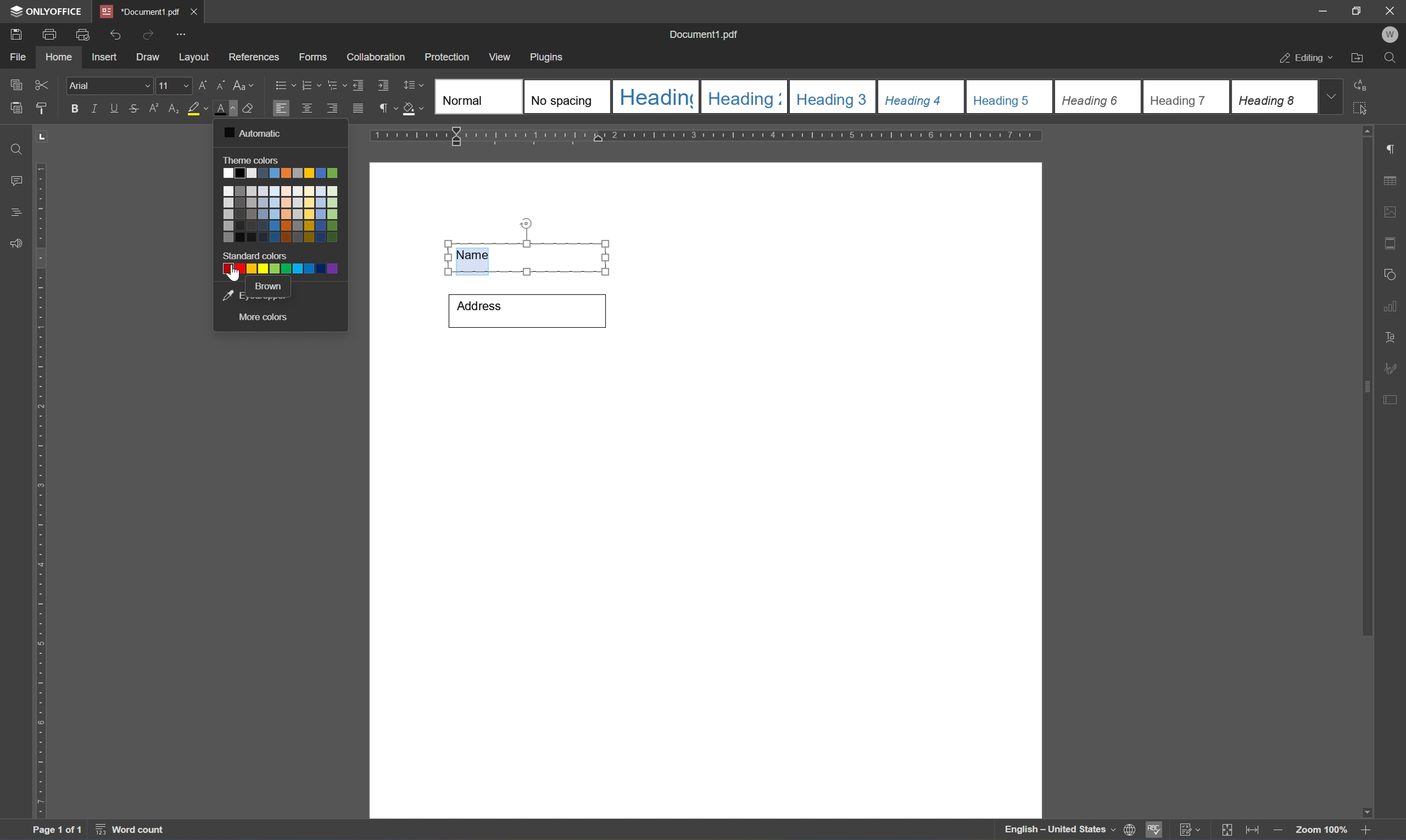 The height and width of the screenshot is (840, 1406). I want to click on font size, so click(174, 85).